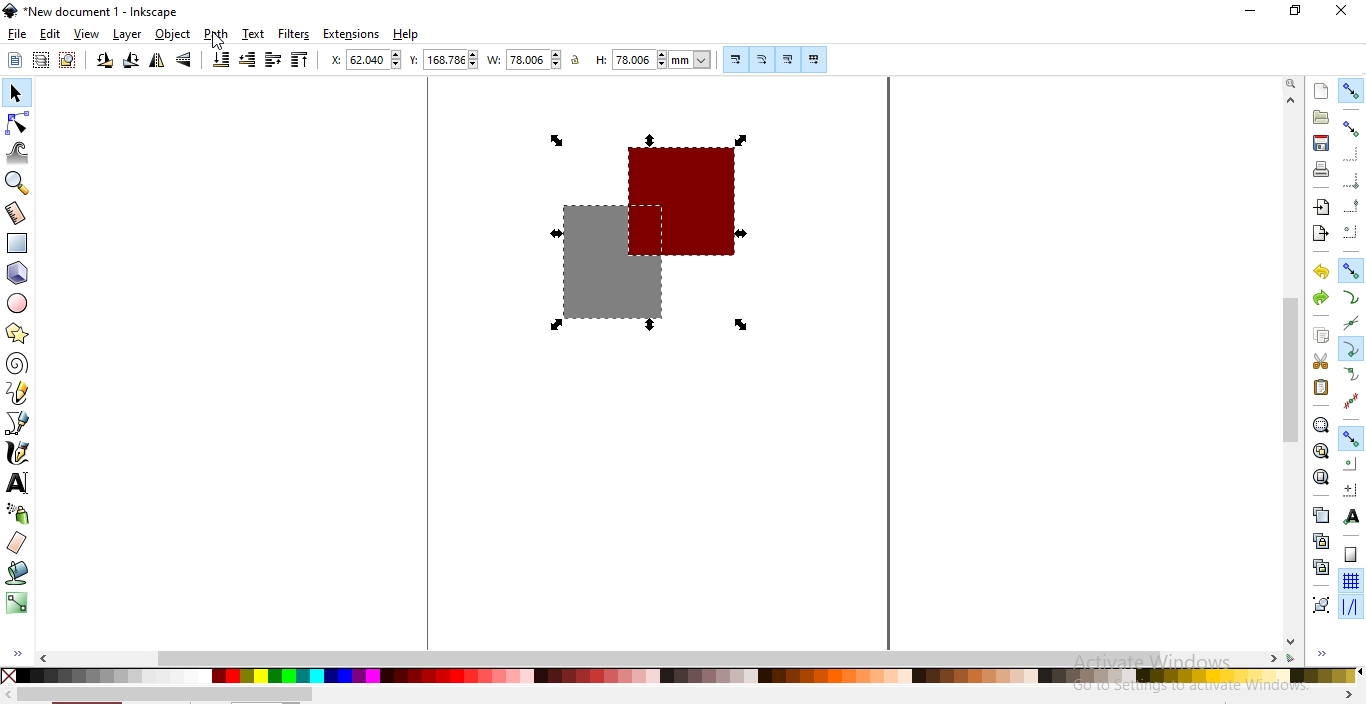  I want to click on snap bounding boxes, so click(1353, 128).